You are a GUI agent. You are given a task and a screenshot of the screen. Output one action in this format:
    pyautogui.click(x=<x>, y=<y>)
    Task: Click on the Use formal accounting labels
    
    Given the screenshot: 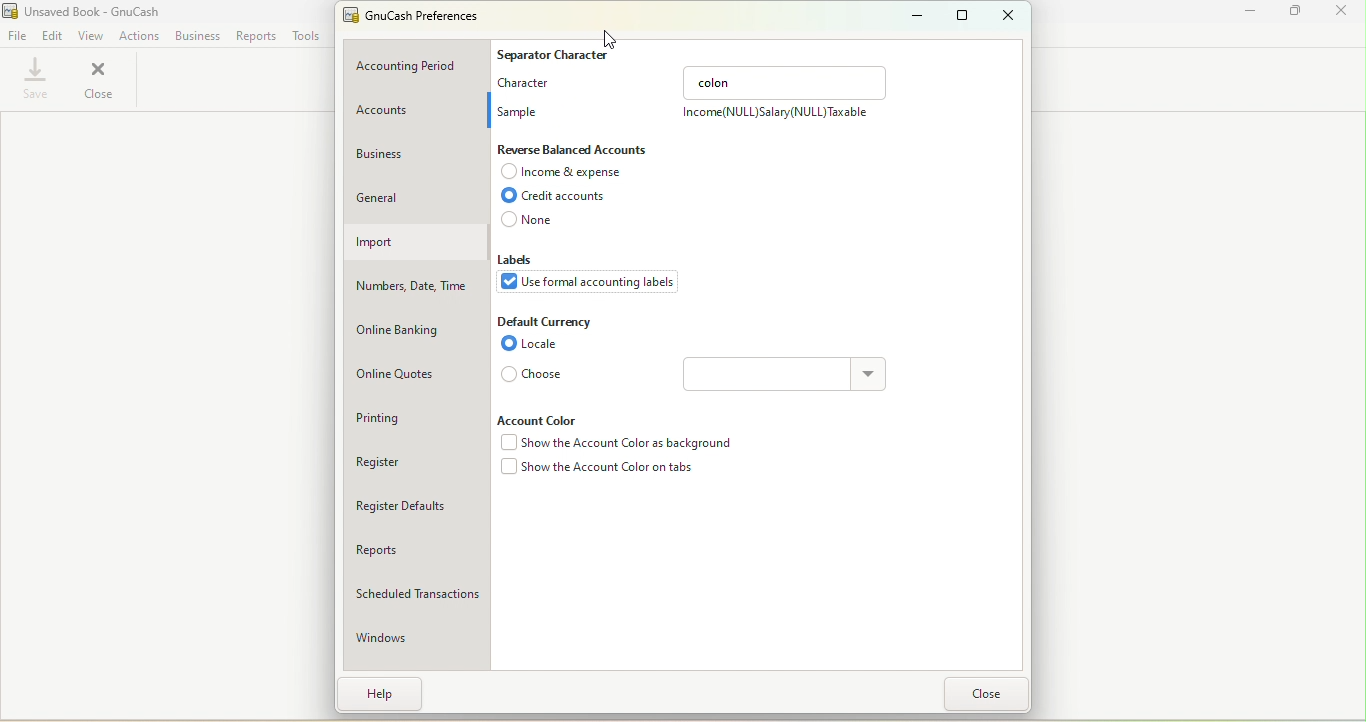 What is the action you would take?
    pyautogui.click(x=592, y=284)
    